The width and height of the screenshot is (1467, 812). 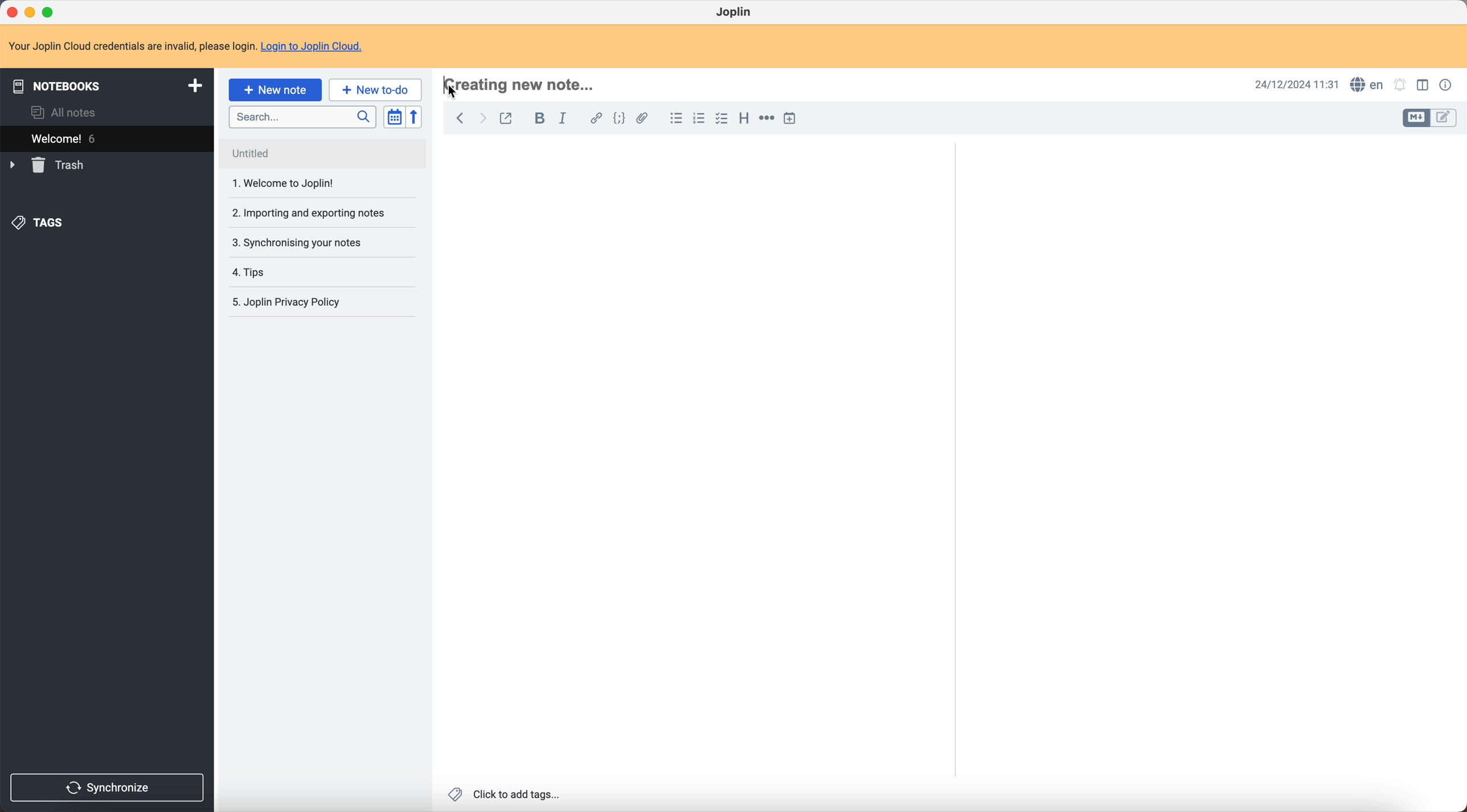 What do you see at coordinates (676, 120) in the screenshot?
I see `bulleted list` at bounding box center [676, 120].